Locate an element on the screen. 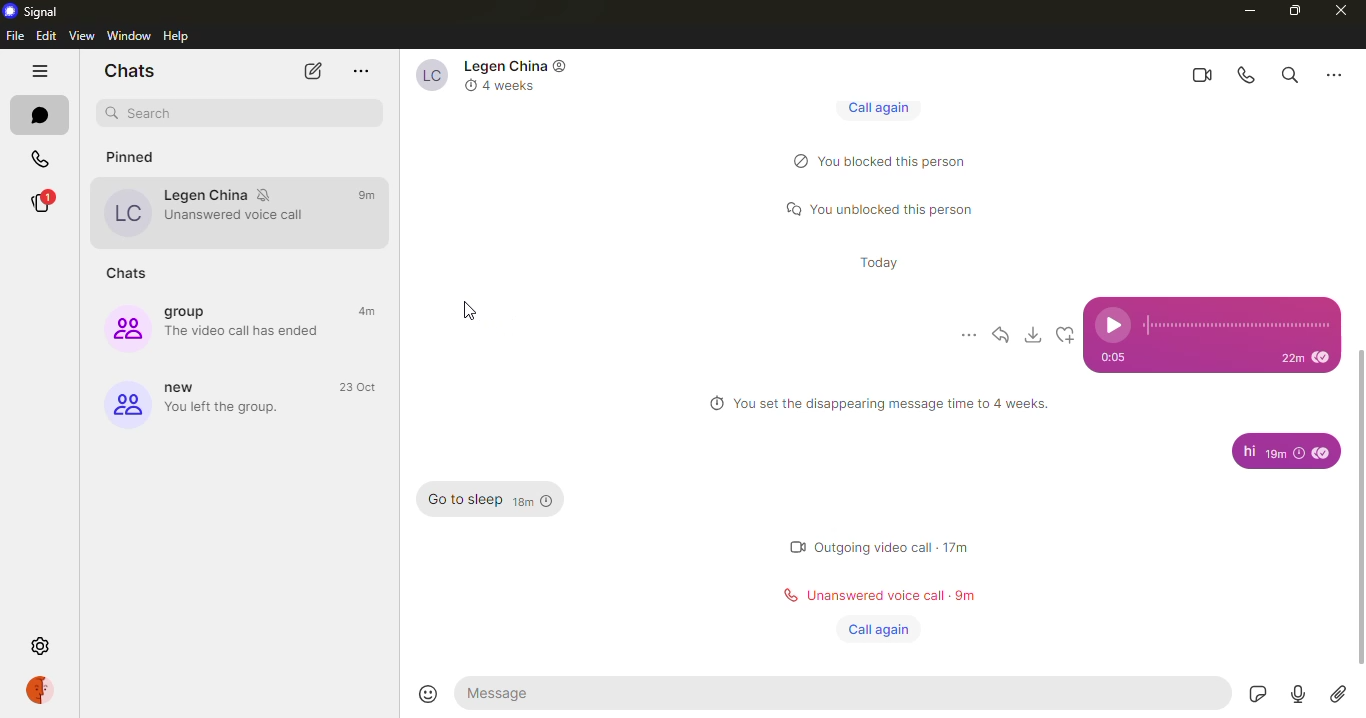 The image size is (1366, 718). chats is located at coordinates (40, 116).